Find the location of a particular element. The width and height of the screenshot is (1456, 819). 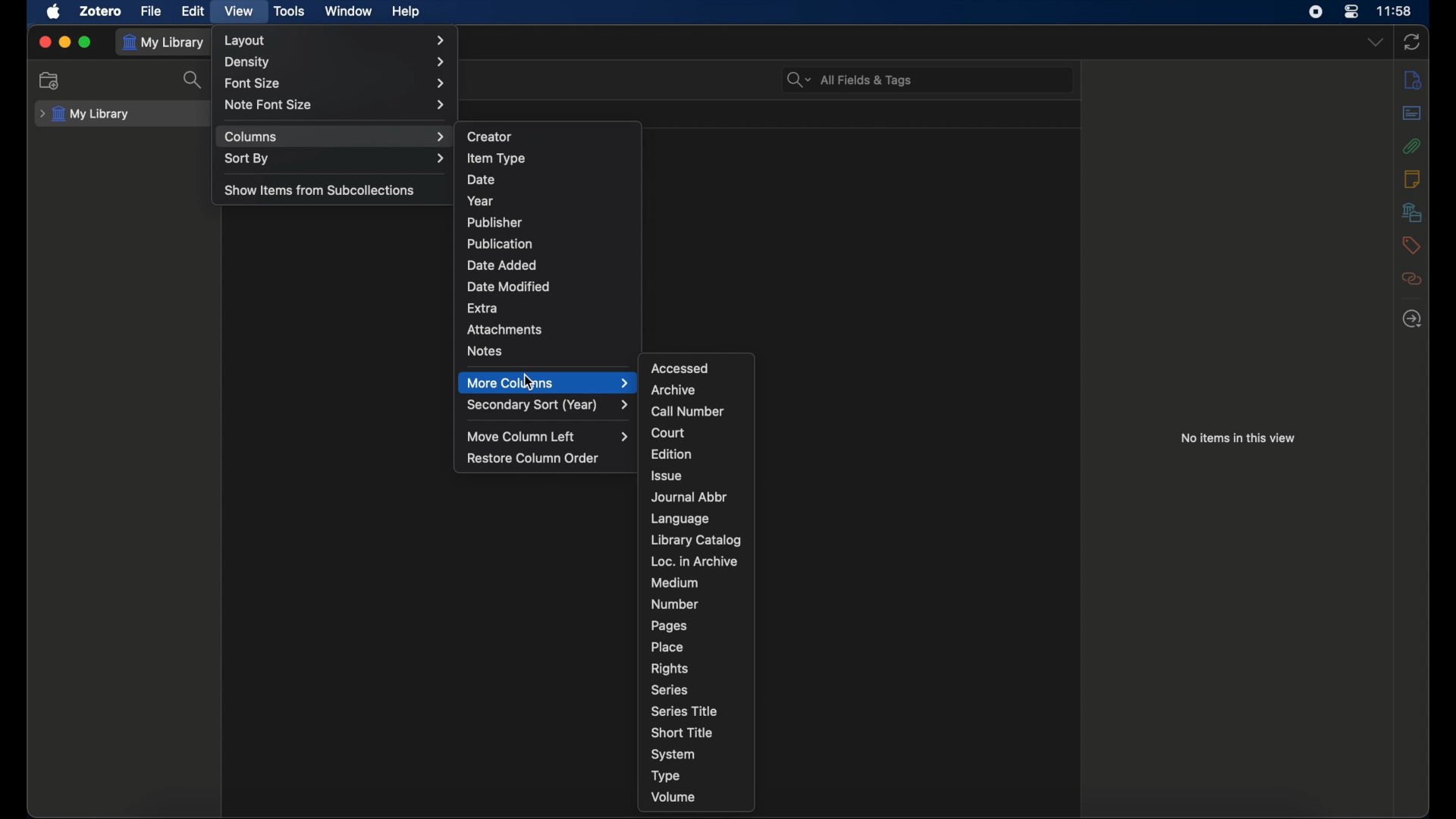

number is located at coordinates (674, 603).